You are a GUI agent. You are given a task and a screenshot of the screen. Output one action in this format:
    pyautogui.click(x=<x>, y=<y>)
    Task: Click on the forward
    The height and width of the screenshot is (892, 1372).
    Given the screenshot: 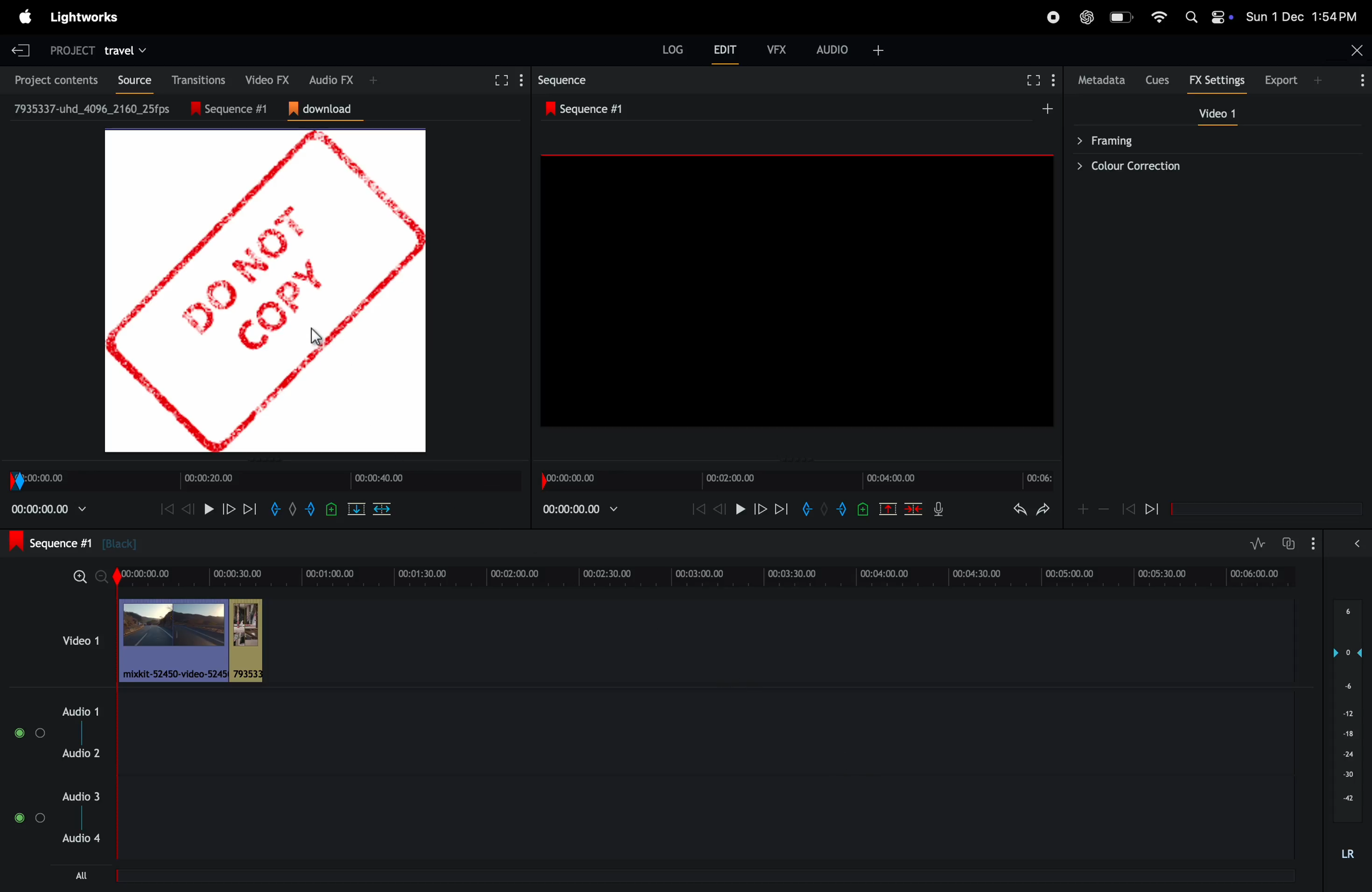 What is the action you would take?
    pyautogui.click(x=228, y=509)
    